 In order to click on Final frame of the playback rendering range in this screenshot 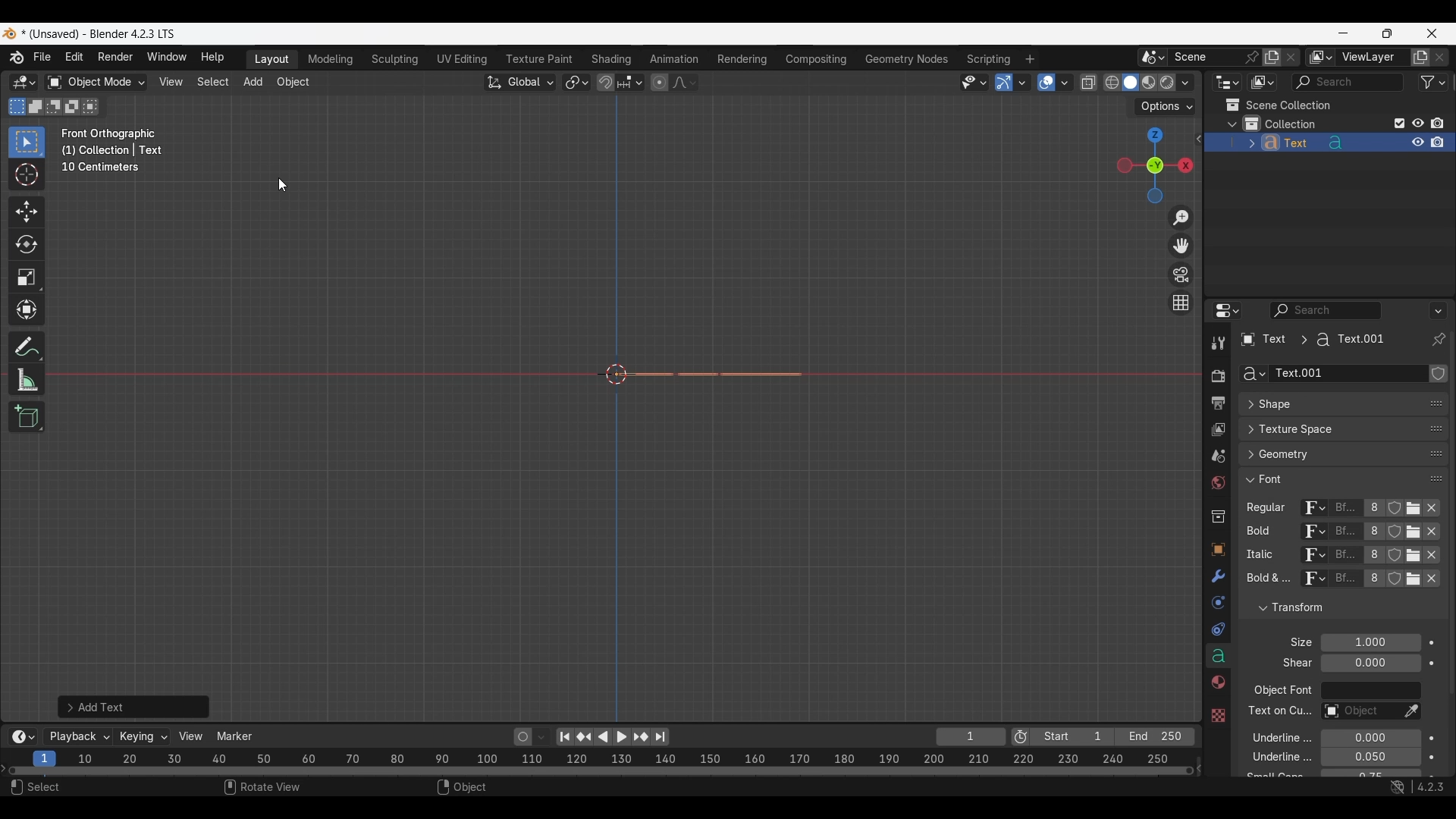, I will do `click(1112, 737)`.